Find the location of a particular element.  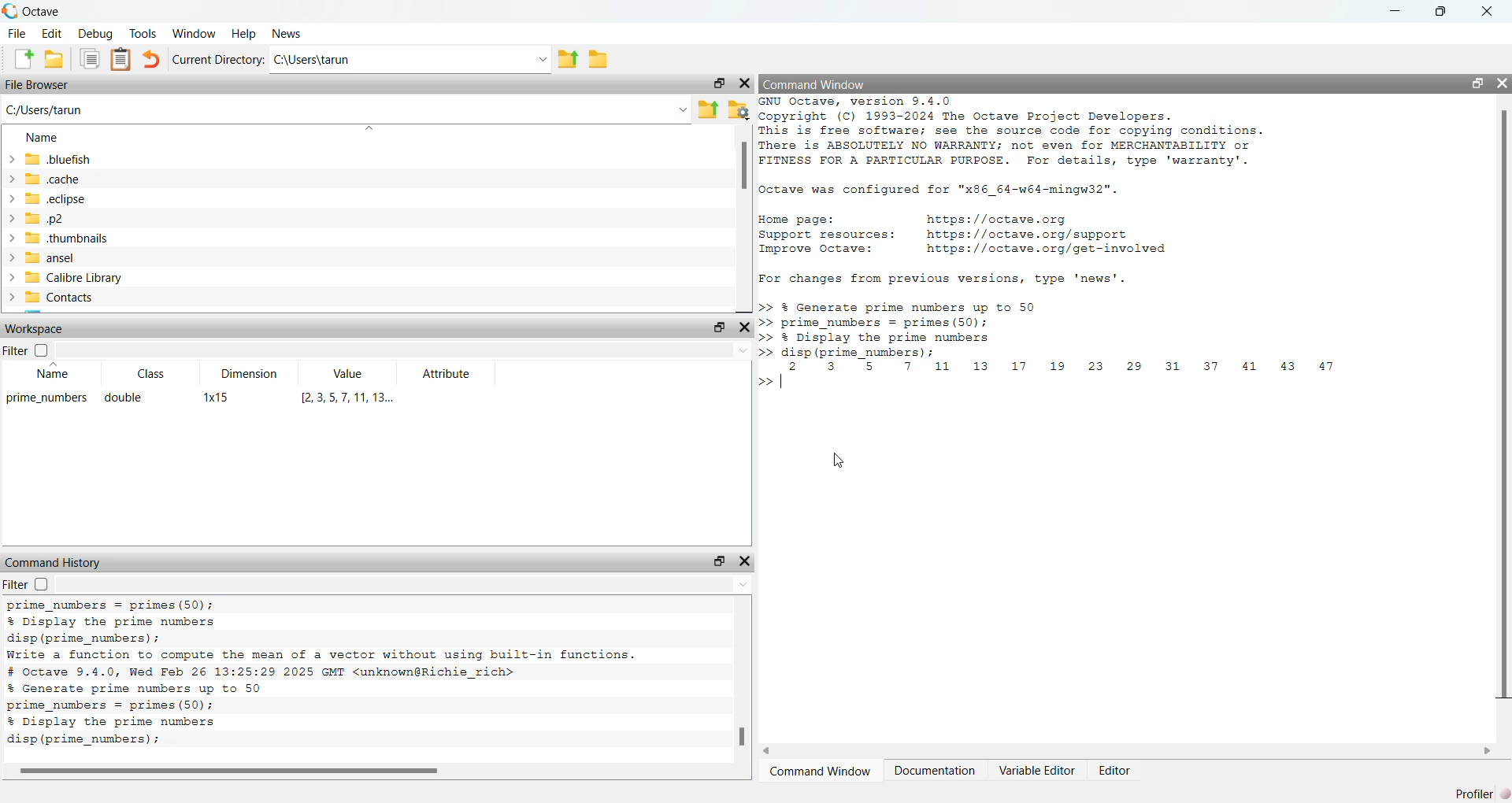

close is located at coordinates (746, 327).